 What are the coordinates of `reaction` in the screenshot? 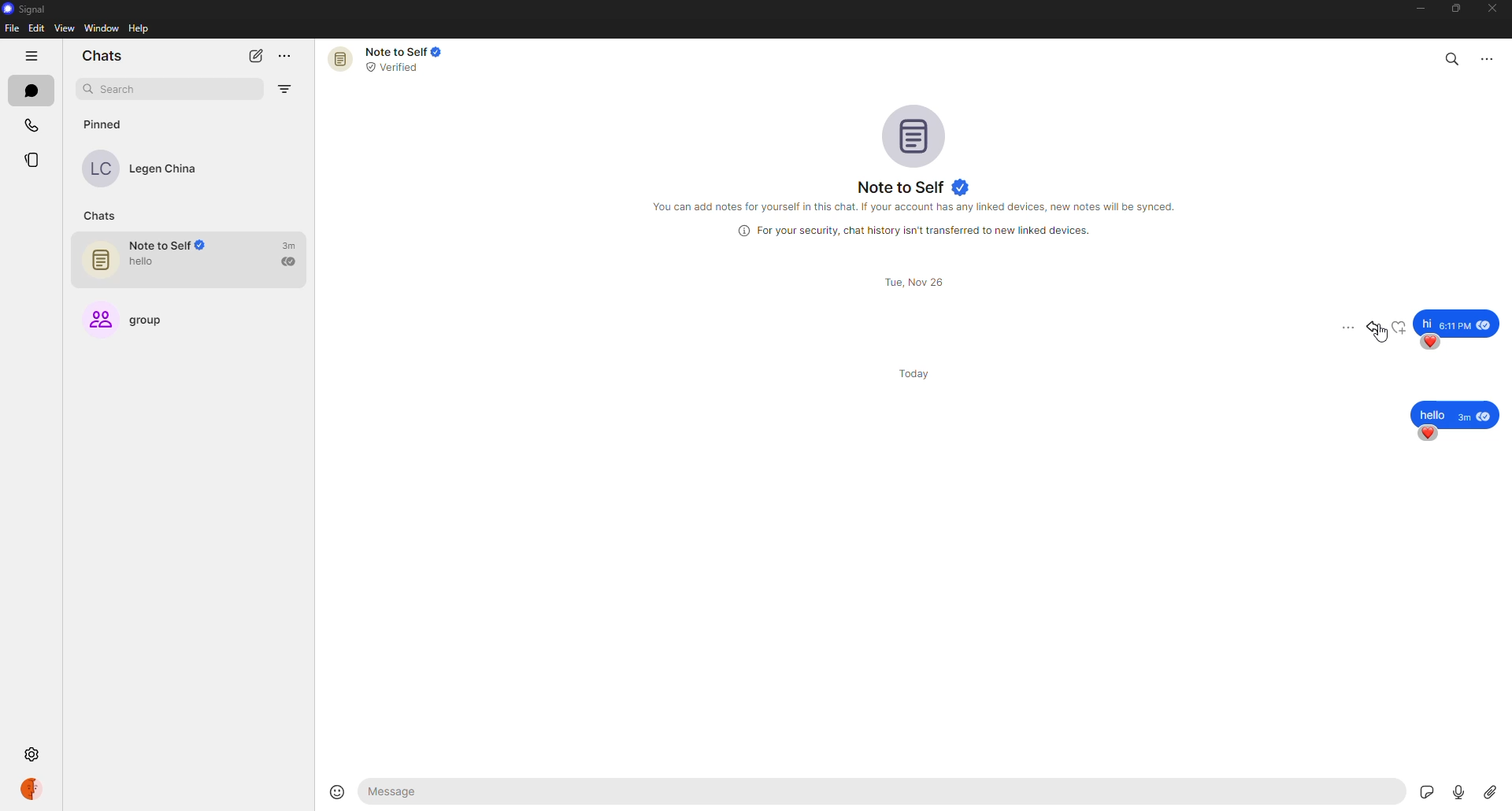 It's located at (1398, 327).